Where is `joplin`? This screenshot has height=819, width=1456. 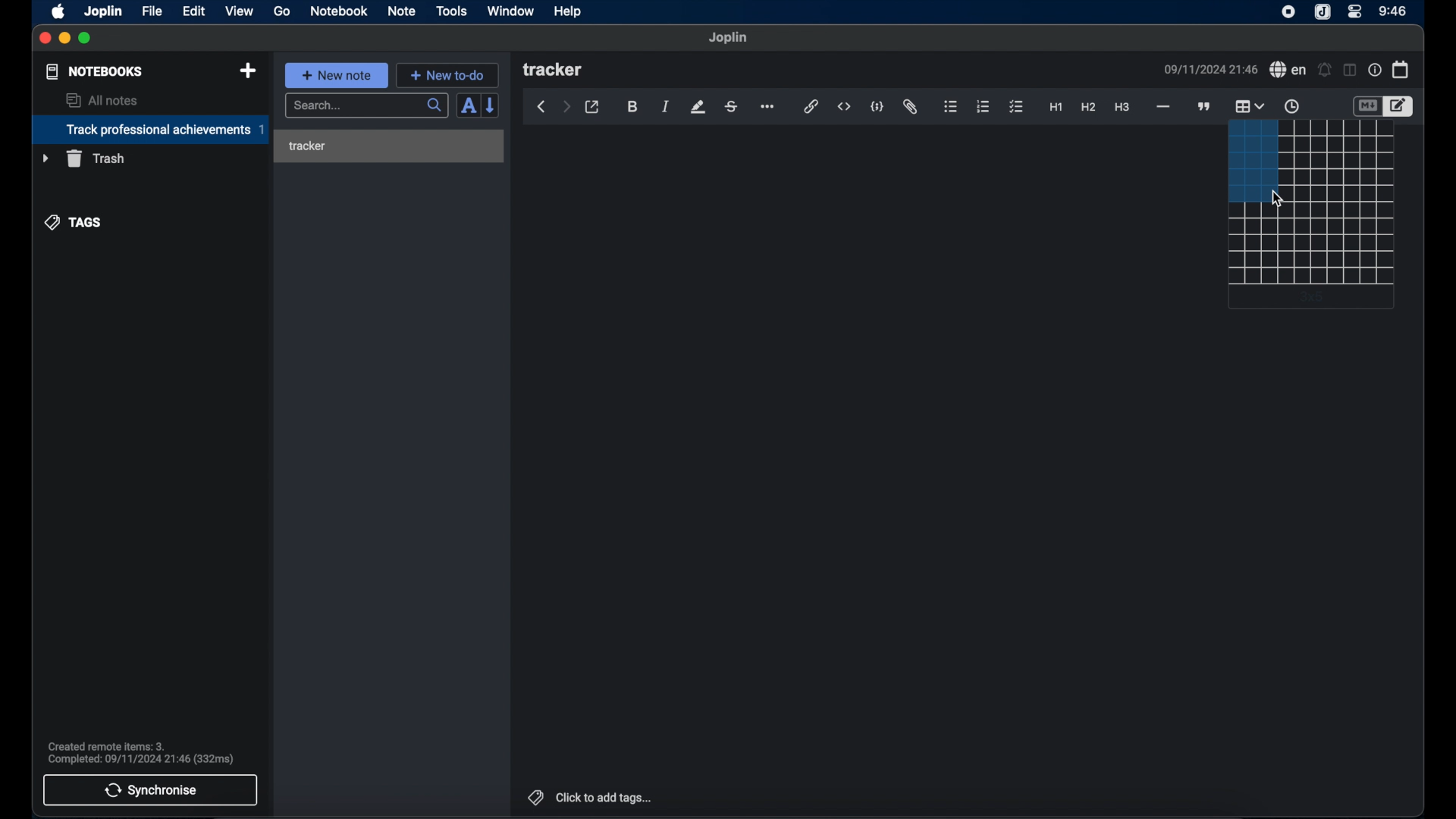 joplin is located at coordinates (729, 38).